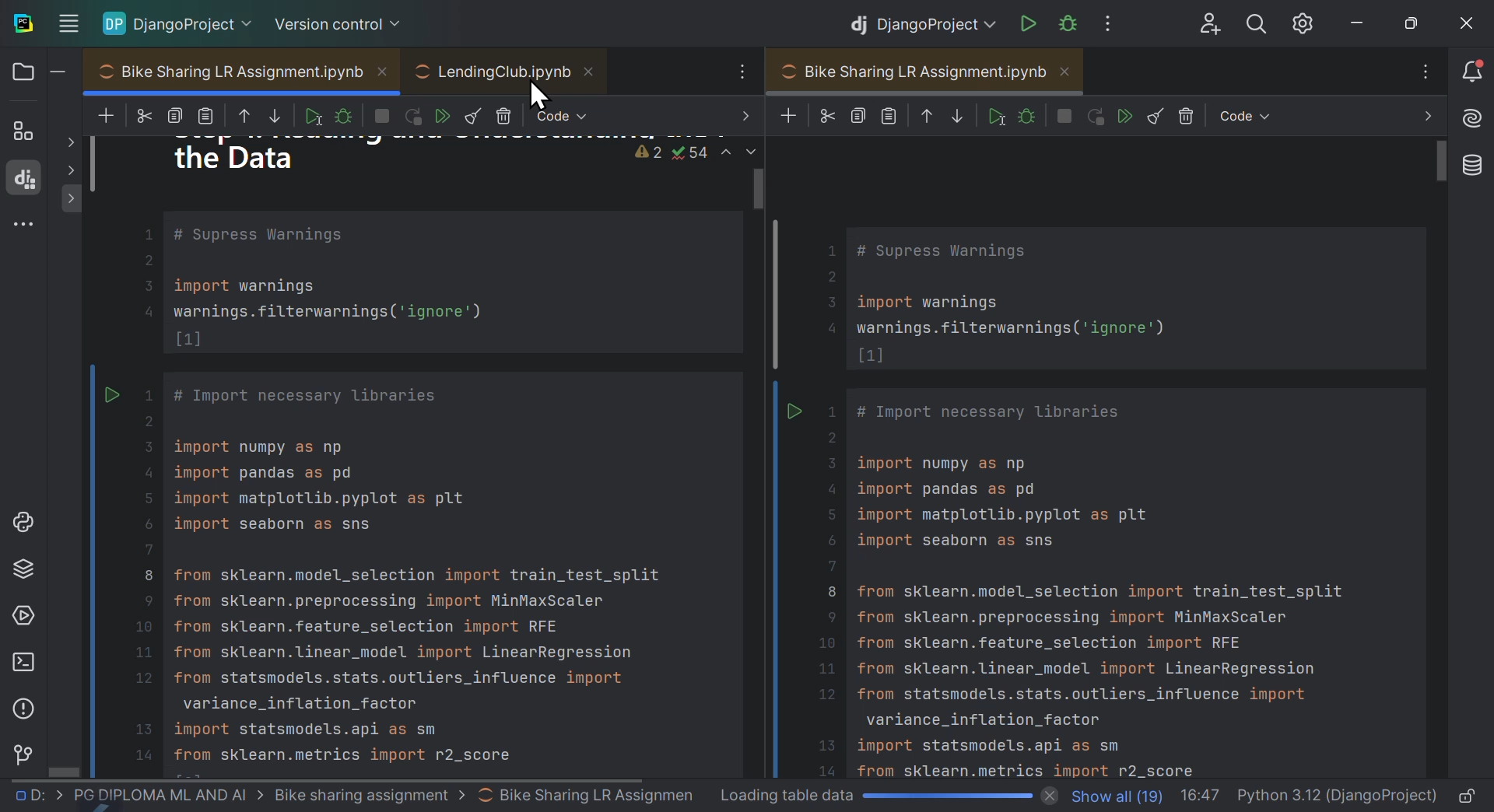 This screenshot has width=1494, height=812. What do you see at coordinates (889, 117) in the screenshot?
I see `paste below cell` at bounding box center [889, 117].